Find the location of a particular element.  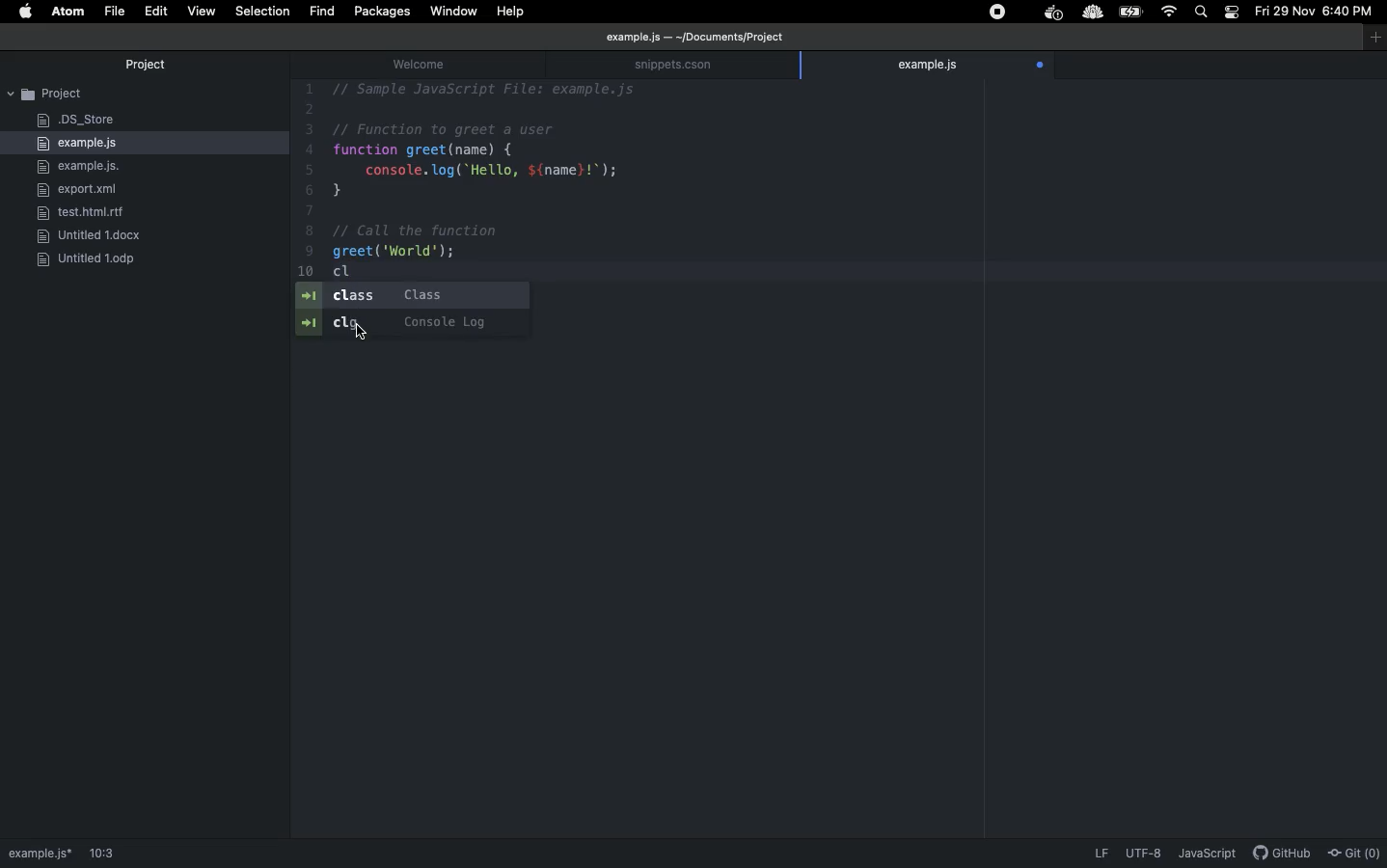

Help is located at coordinates (511, 11).